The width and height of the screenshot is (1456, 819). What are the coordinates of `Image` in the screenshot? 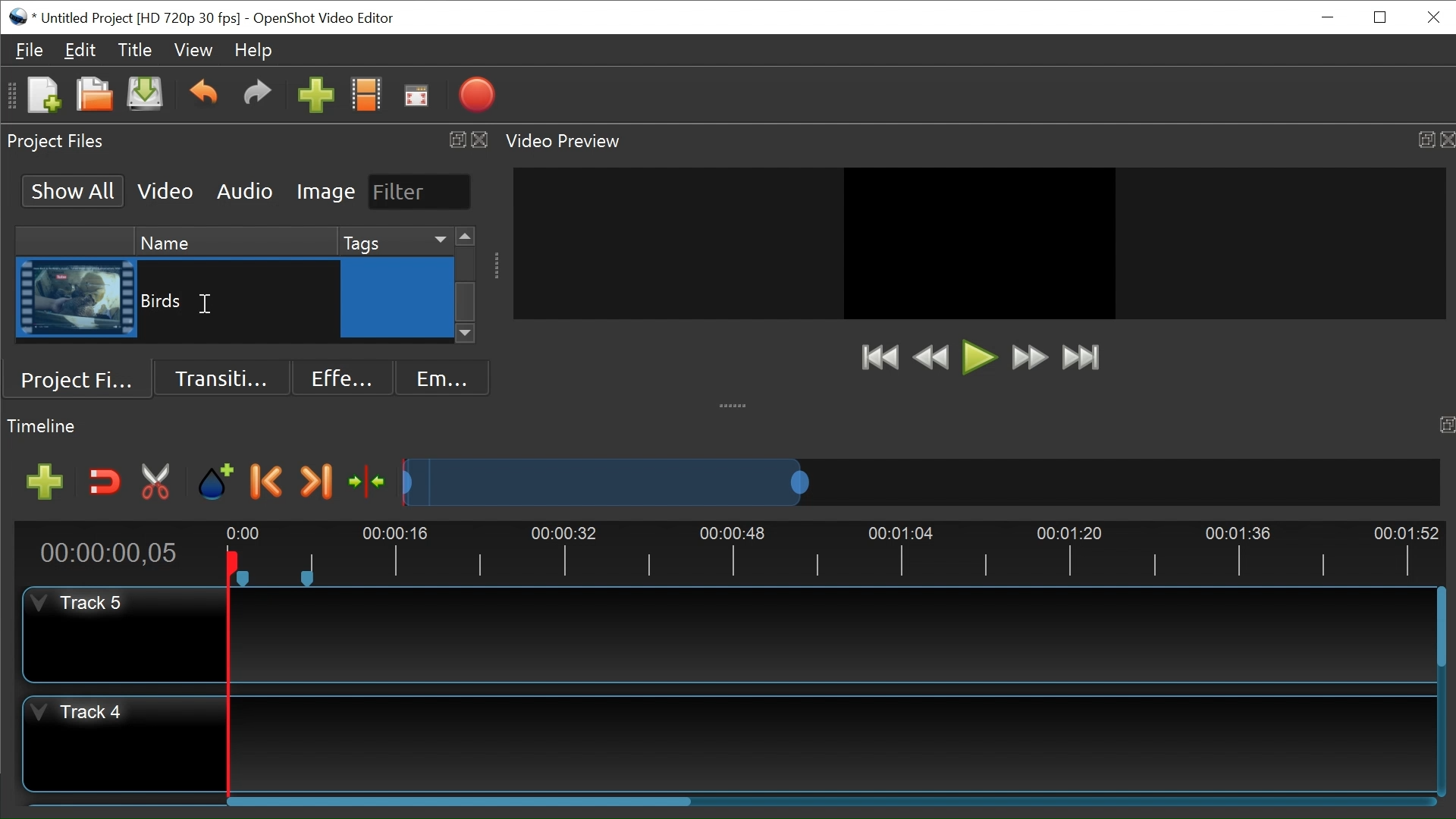 It's located at (326, 193).